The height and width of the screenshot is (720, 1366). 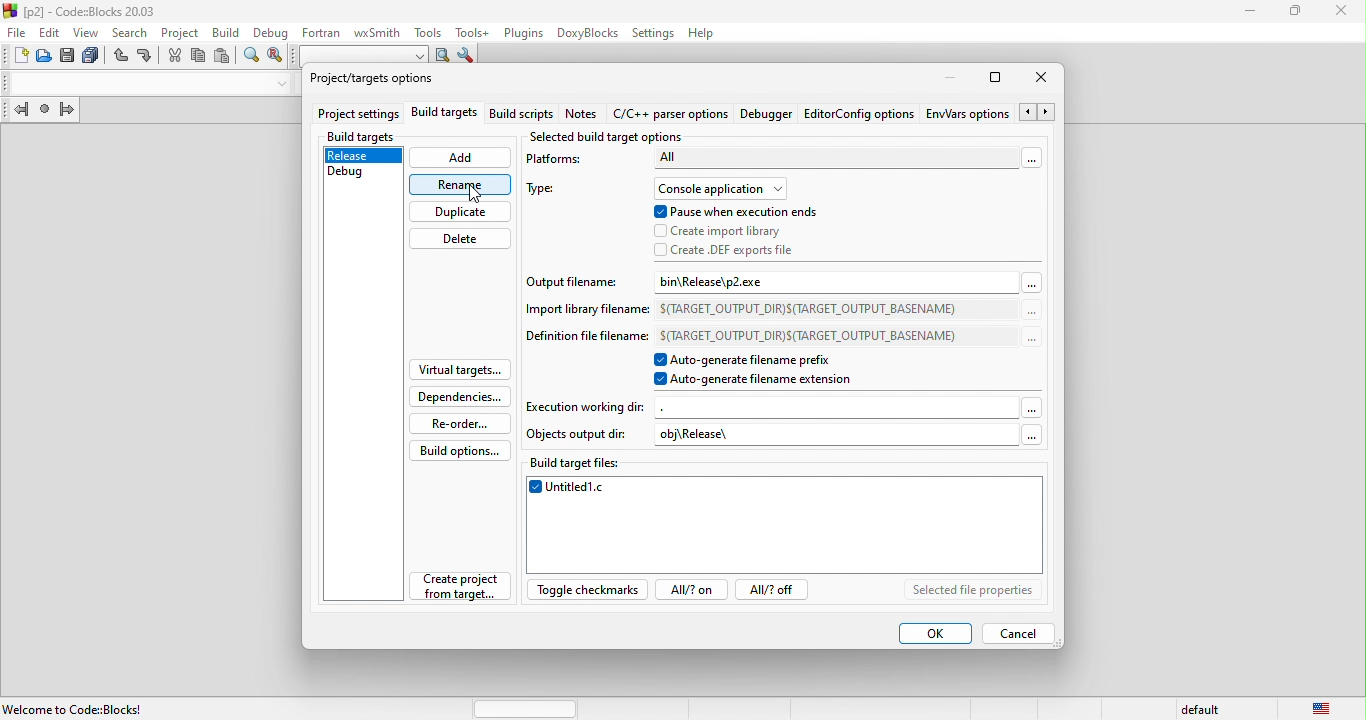 I want to click on rename, so click(x=461, y=184).